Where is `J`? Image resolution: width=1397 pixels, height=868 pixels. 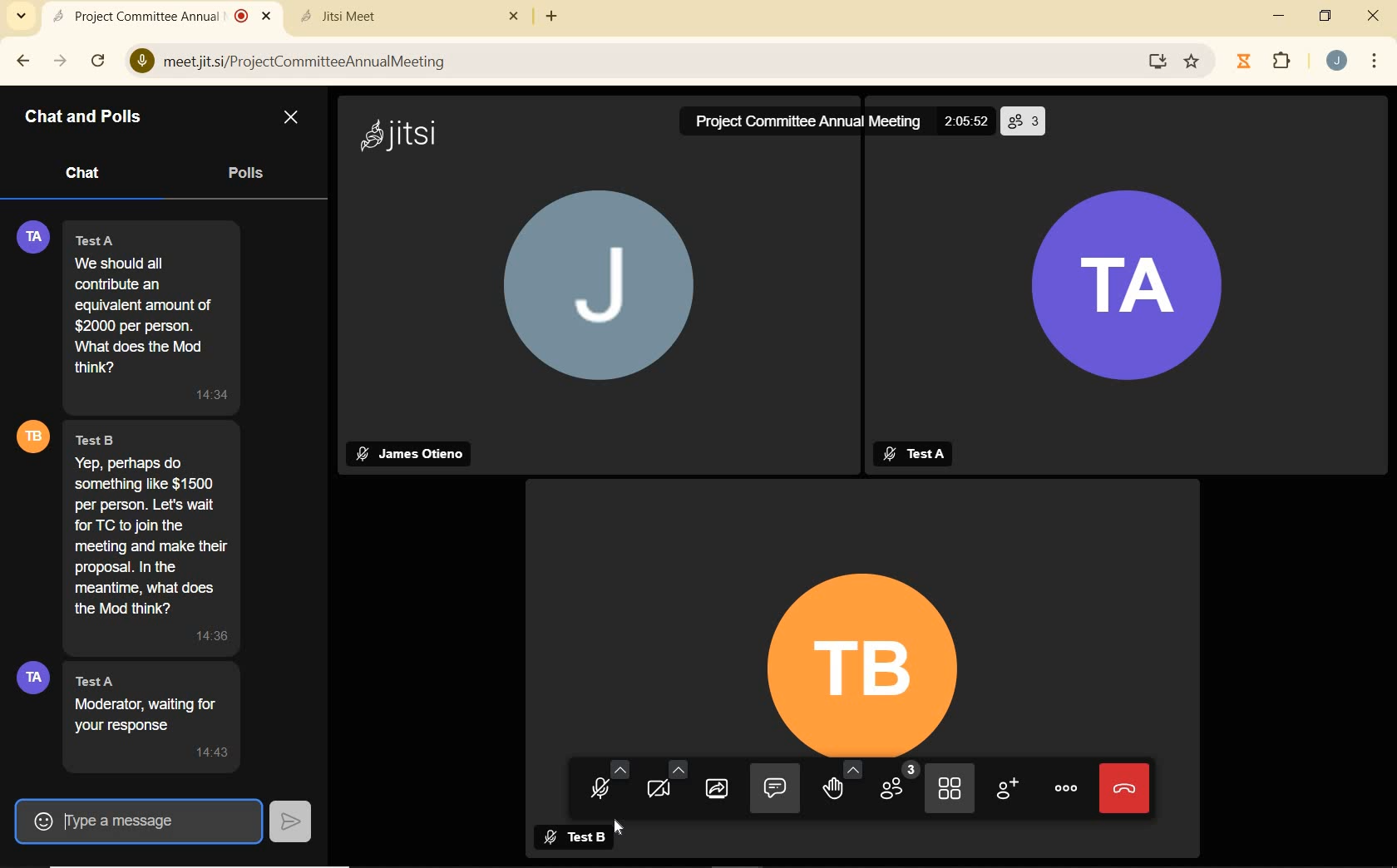 J is located at coordinates (577, 306).